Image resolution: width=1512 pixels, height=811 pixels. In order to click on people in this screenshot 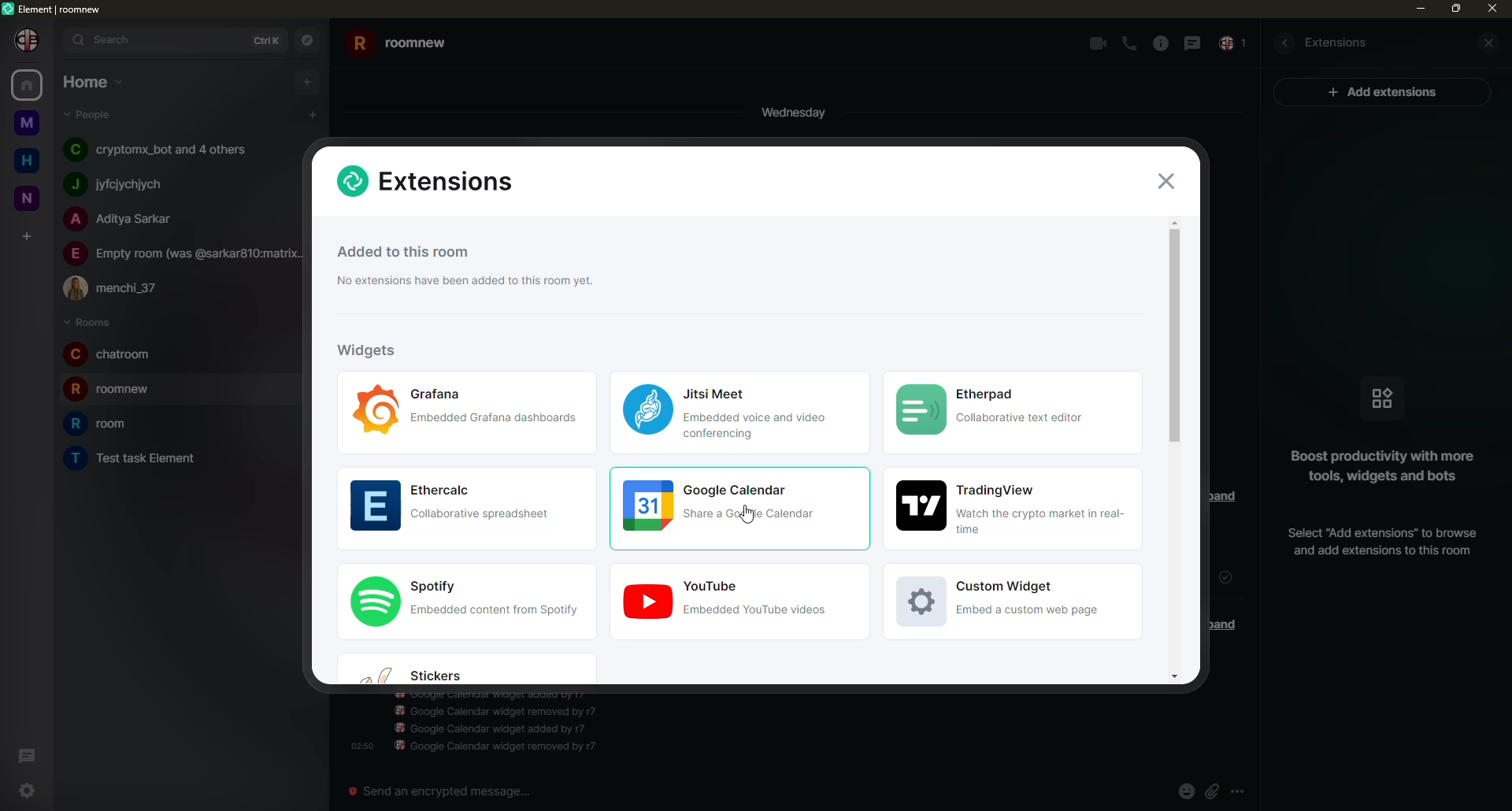, I will do `click(185, 254)`.